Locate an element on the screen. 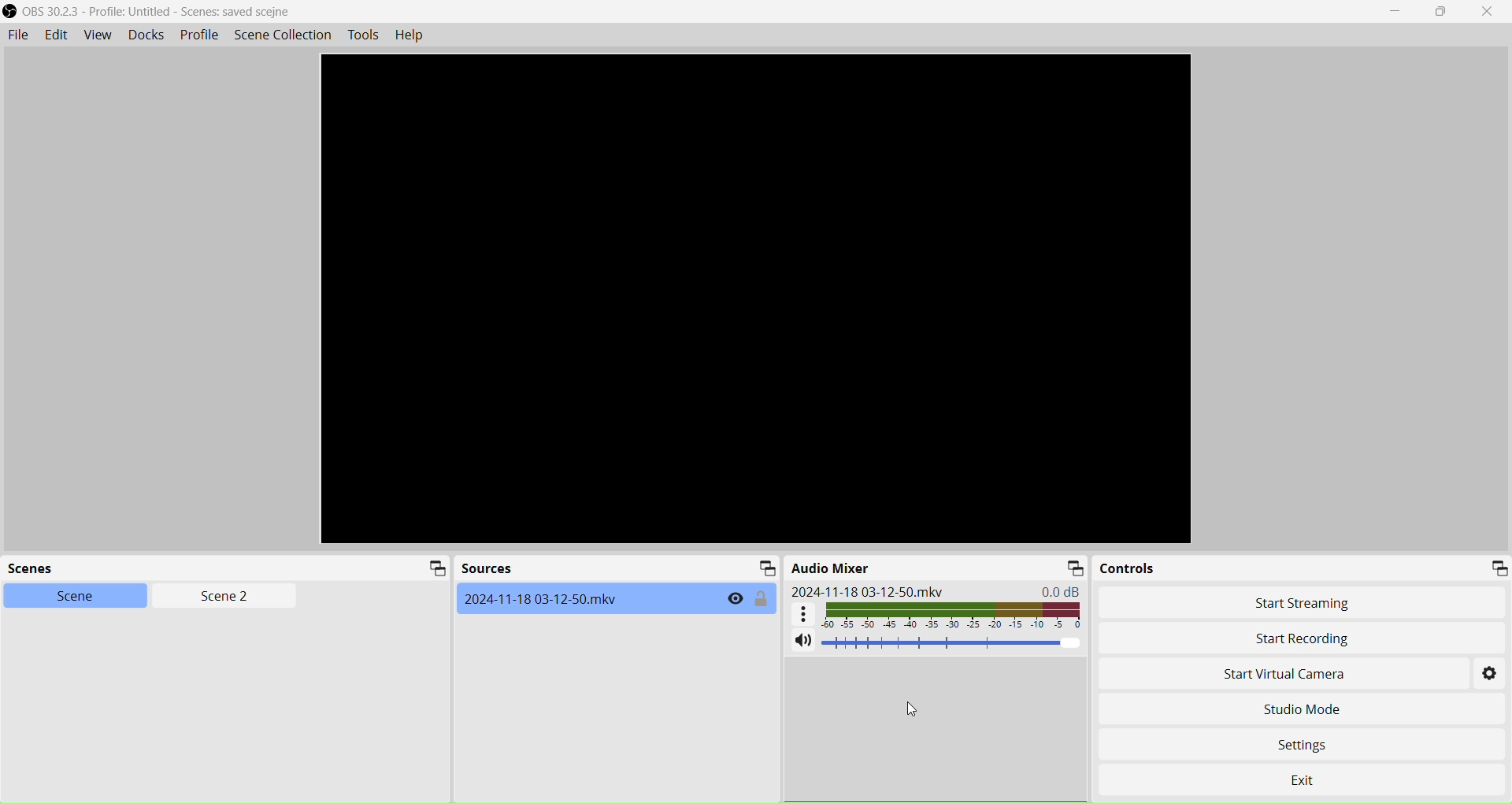  Profile is located at coordinates (199, 35).